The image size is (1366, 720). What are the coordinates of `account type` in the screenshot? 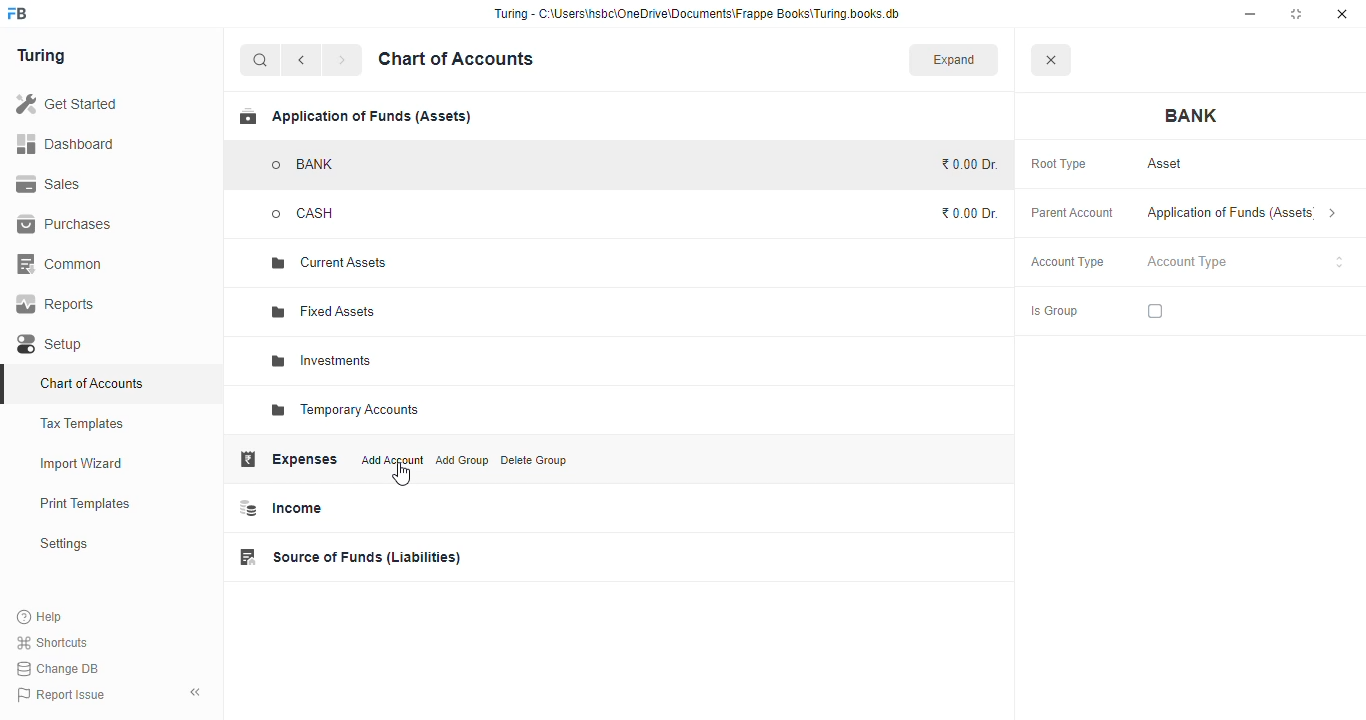 It's located at (1246, 262).